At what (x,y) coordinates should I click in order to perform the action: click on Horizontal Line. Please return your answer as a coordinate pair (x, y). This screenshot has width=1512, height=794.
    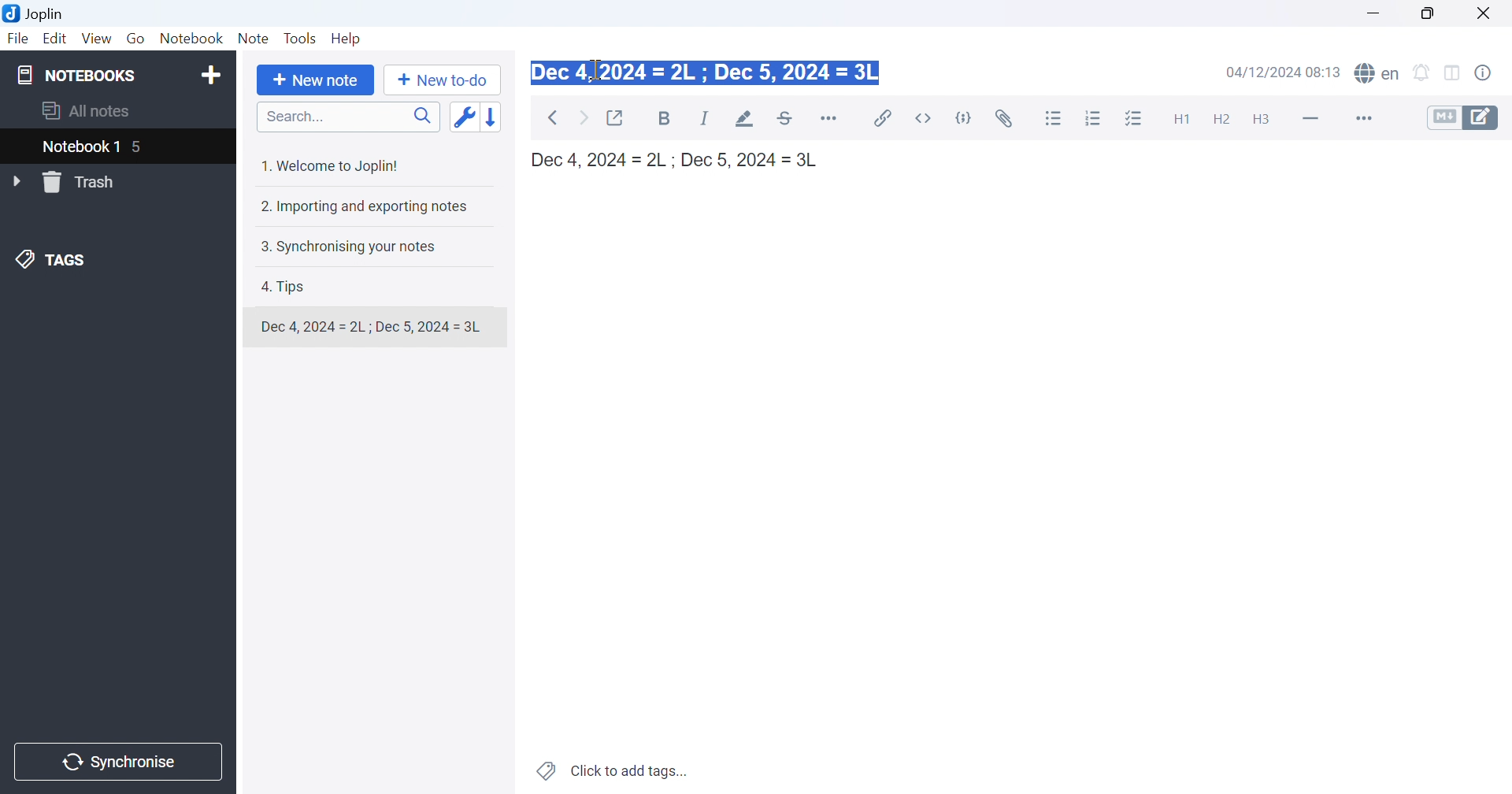
    Looking at the image, I should click on (1310, 119).